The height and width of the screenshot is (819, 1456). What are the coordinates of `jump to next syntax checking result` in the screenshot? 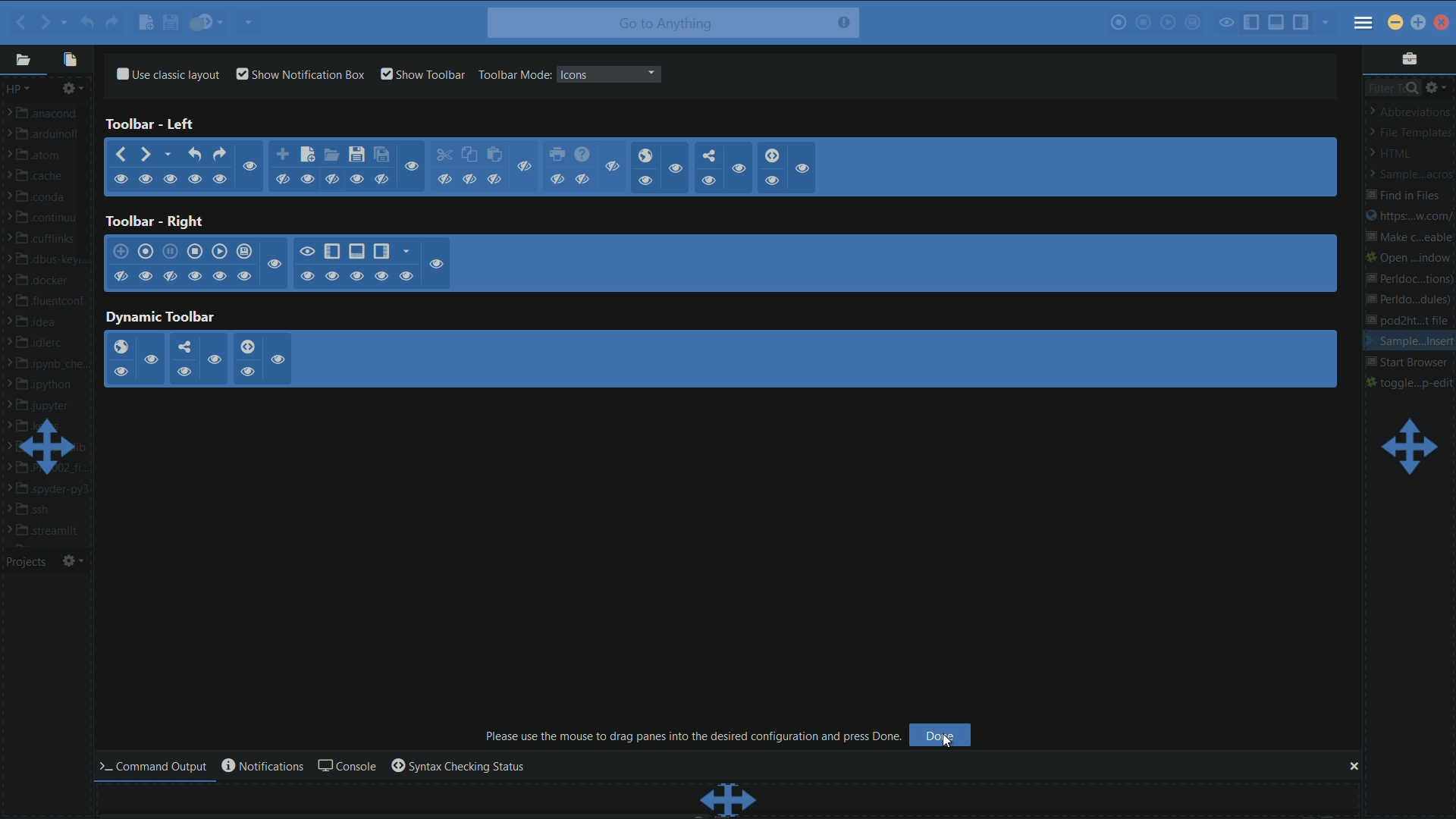 It's located at (773, 155).